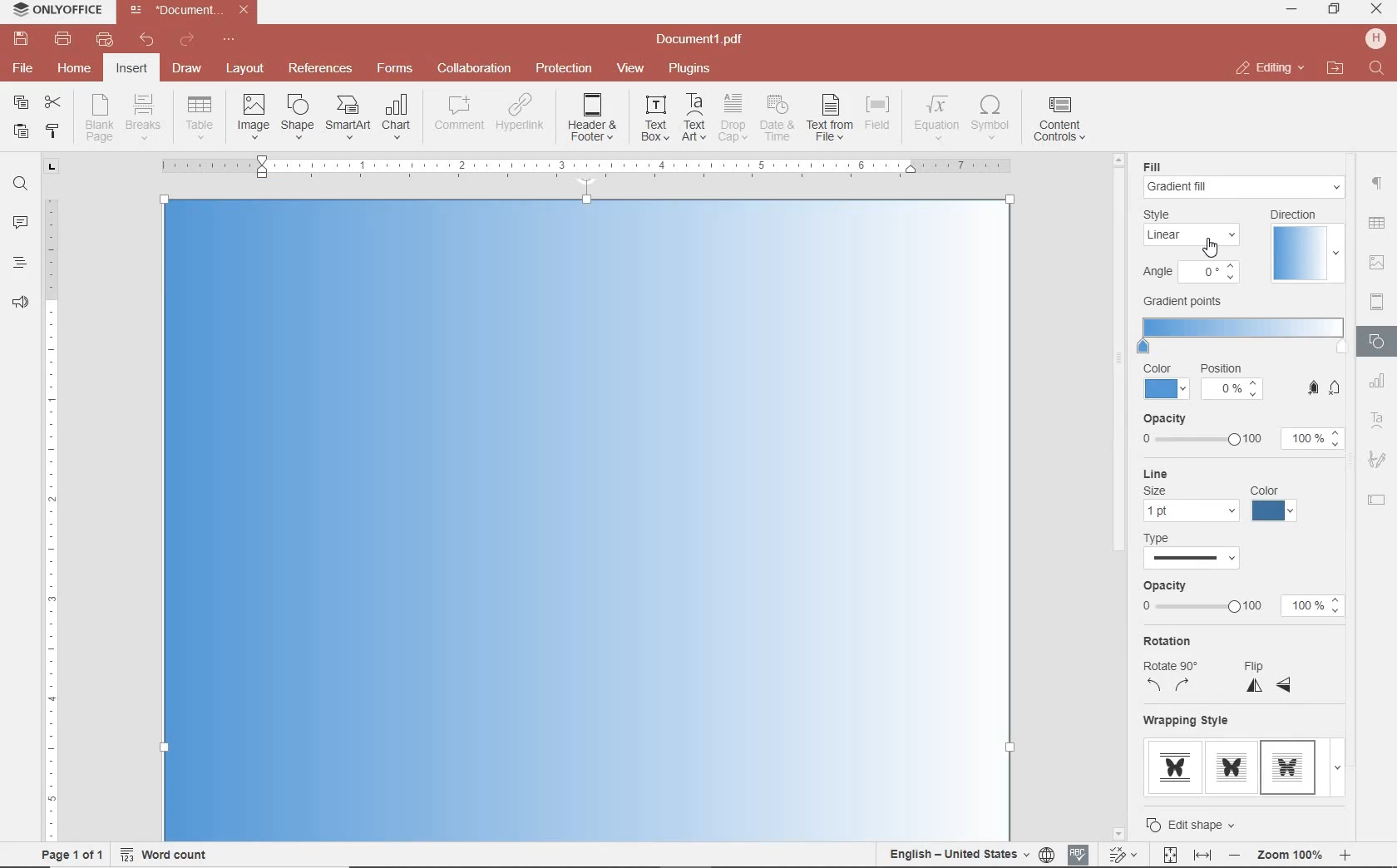  What do you see at coordinates (1113, 629) in the screenshot?
I see `` at bounding box center [1113, 629].